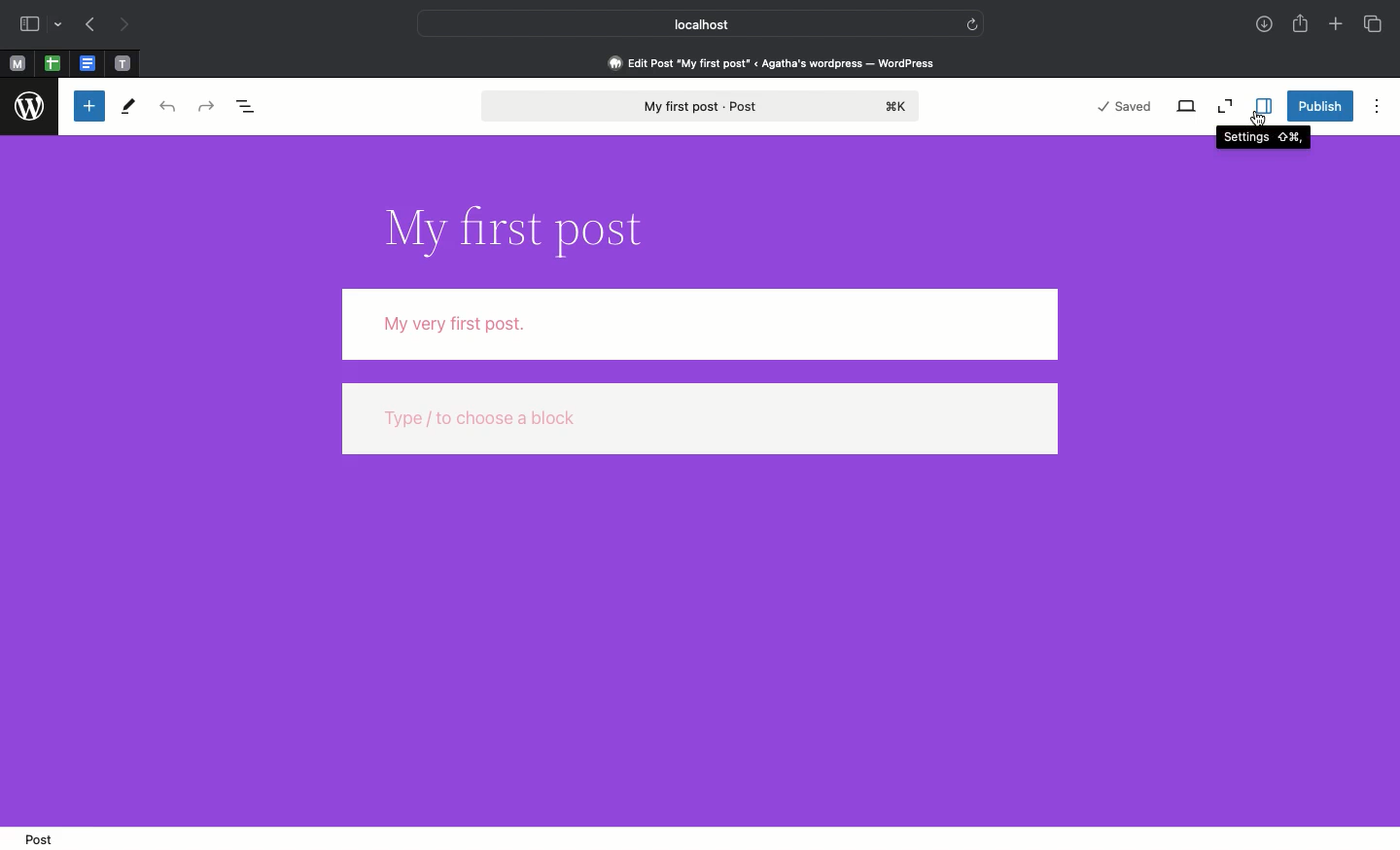  What do you see at coordinates (1264, 24) in the screenshot?
I see `Downloads` at bounding box center [1264, 24].